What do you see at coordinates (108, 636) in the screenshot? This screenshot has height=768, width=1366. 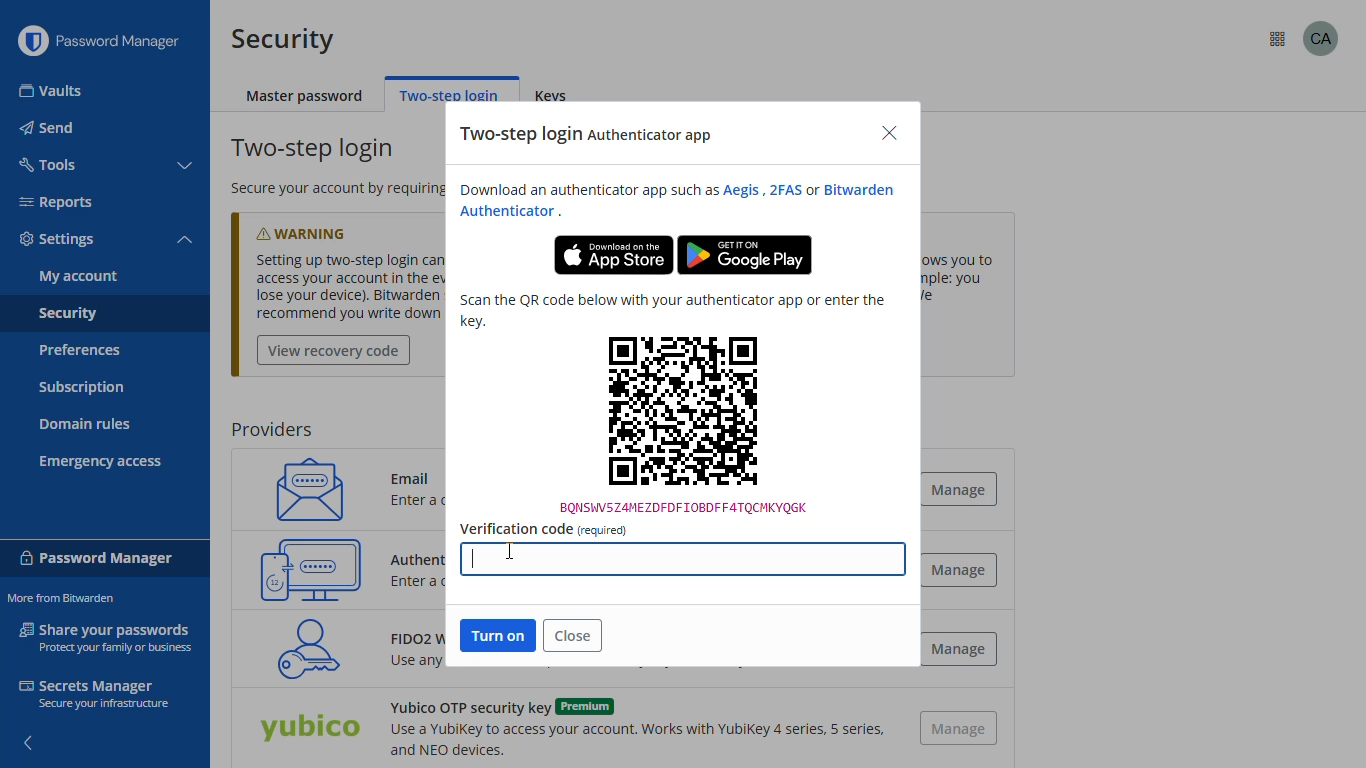 I see `share your passwords` at bounding box center [108, 636].